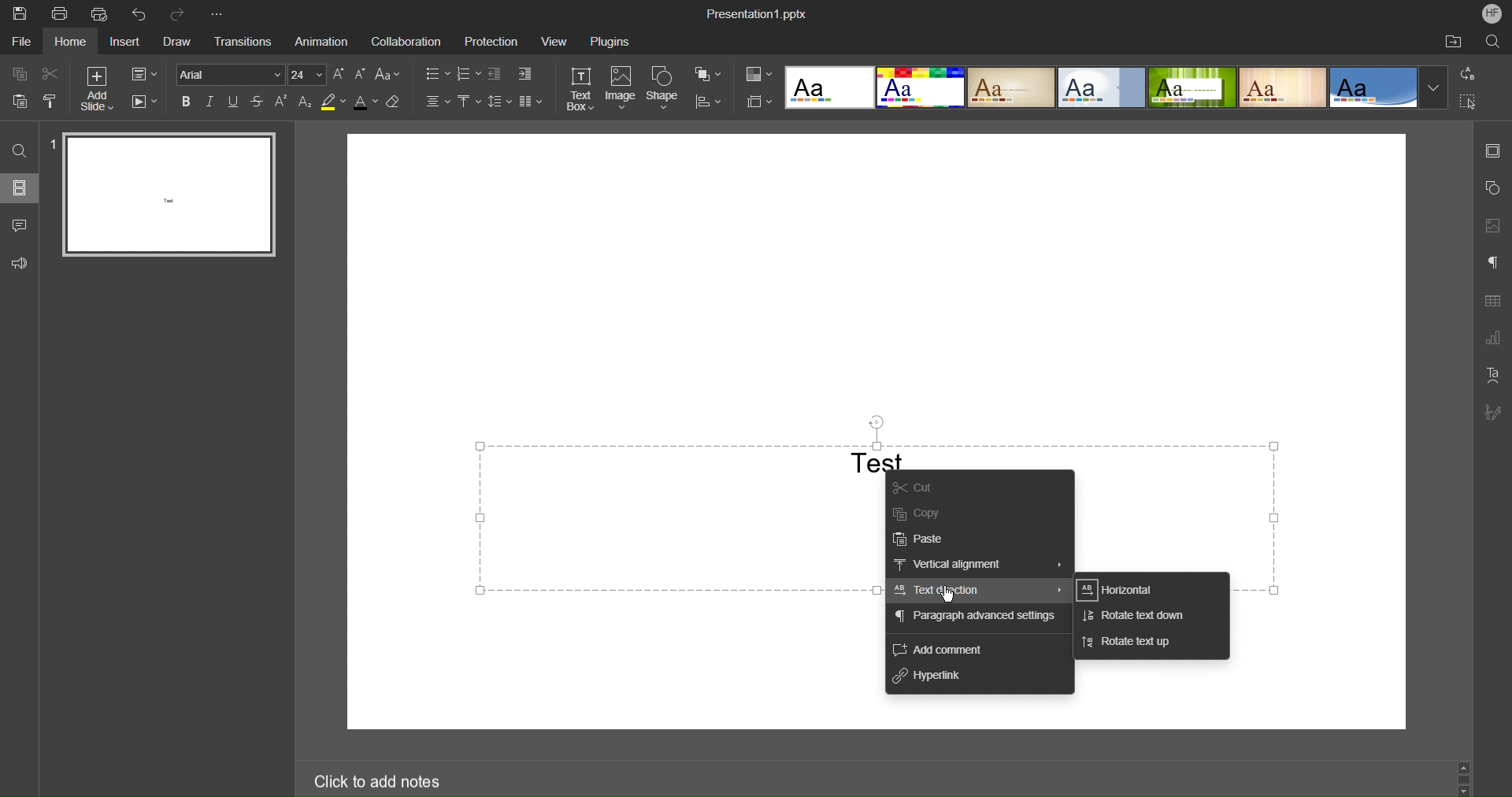 This screenshot has height=797, width=1512. I want to click on Cursor, so click(950, 595).